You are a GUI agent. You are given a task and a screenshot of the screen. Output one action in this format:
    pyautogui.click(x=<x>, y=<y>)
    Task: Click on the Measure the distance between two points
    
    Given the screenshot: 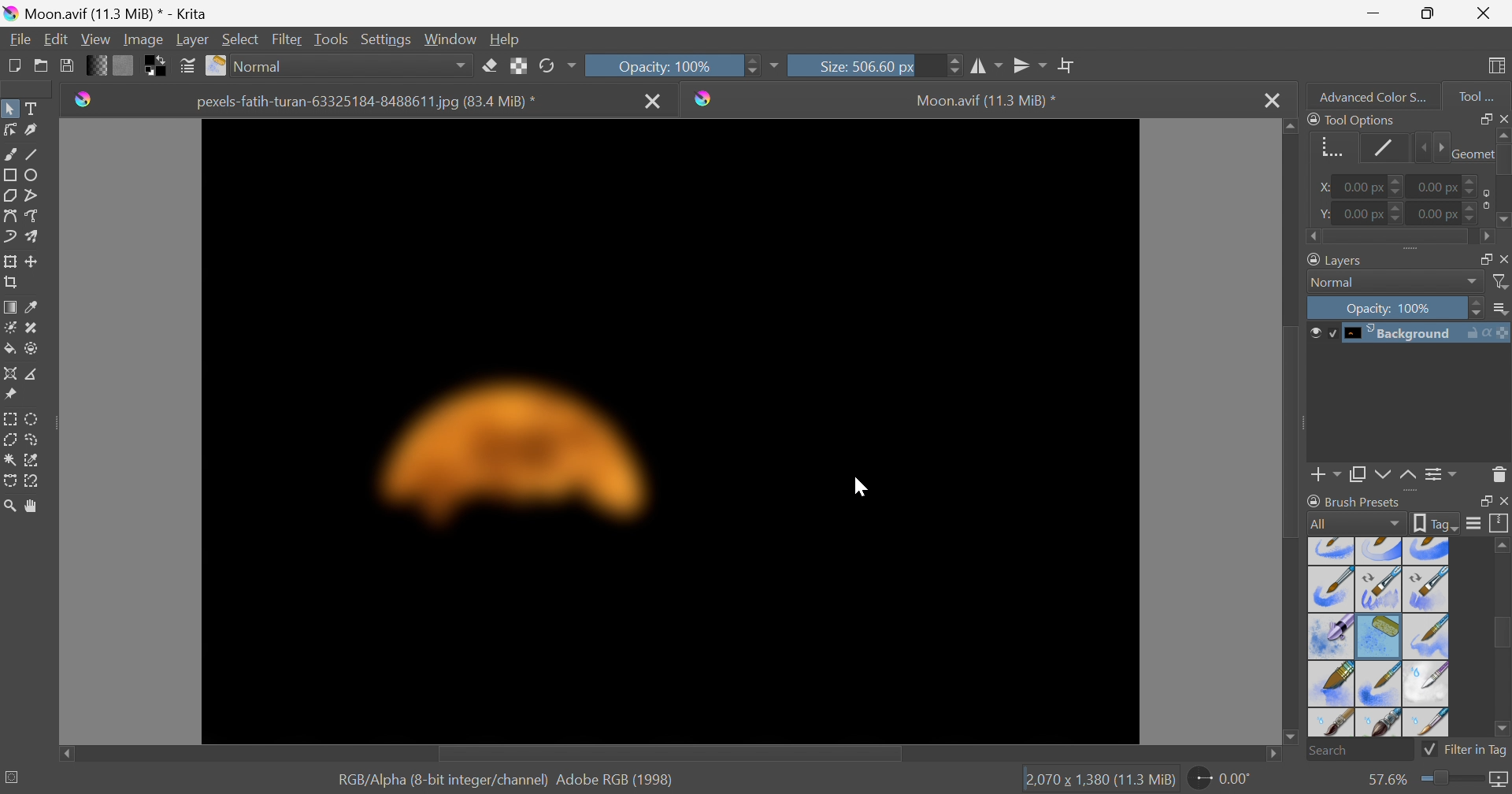 What is the action you would take?
    pyautogui.click(x=33, y=373)
    